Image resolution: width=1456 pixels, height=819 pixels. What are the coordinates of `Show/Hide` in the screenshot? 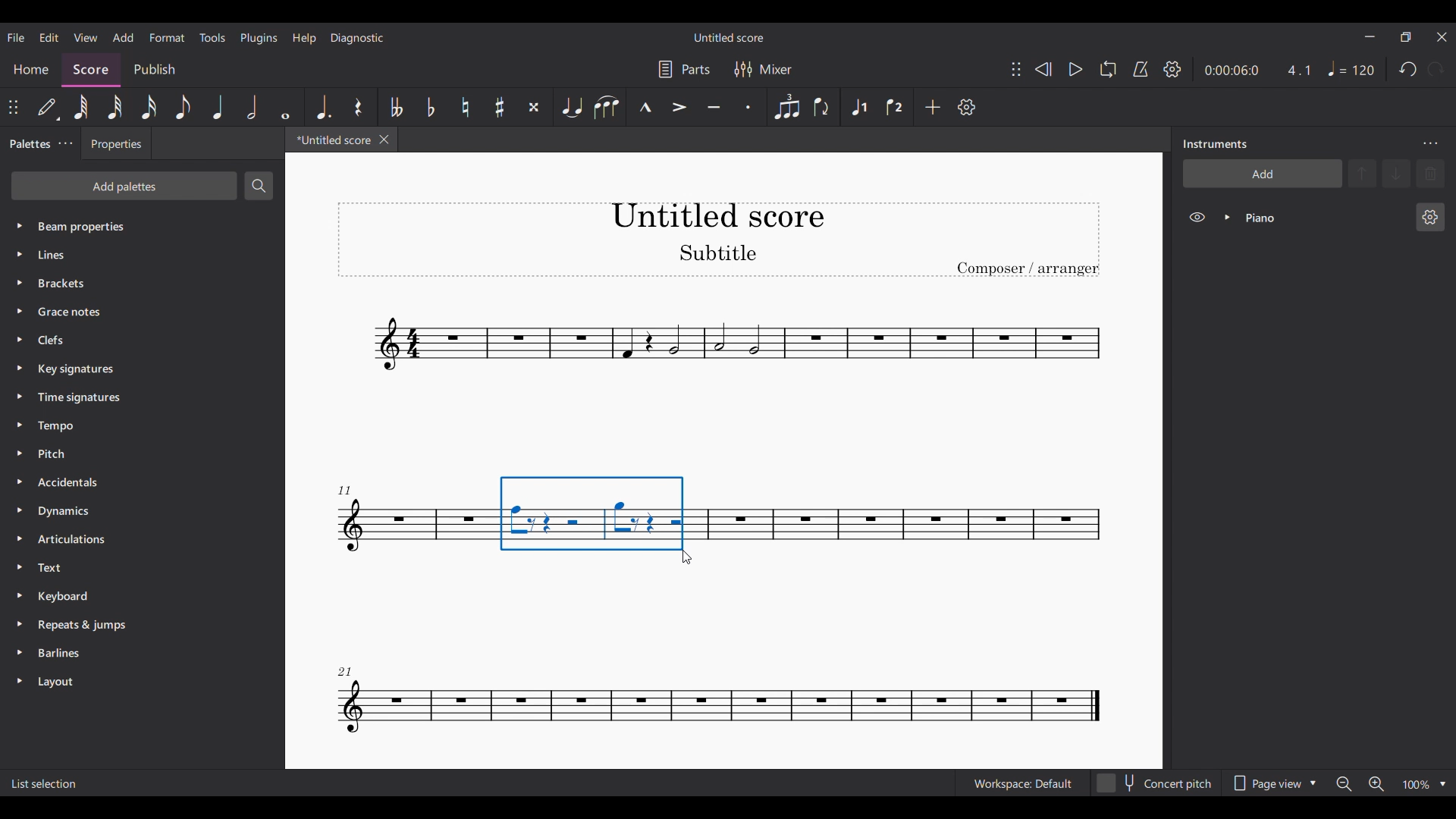 It's located at (1197, 218).